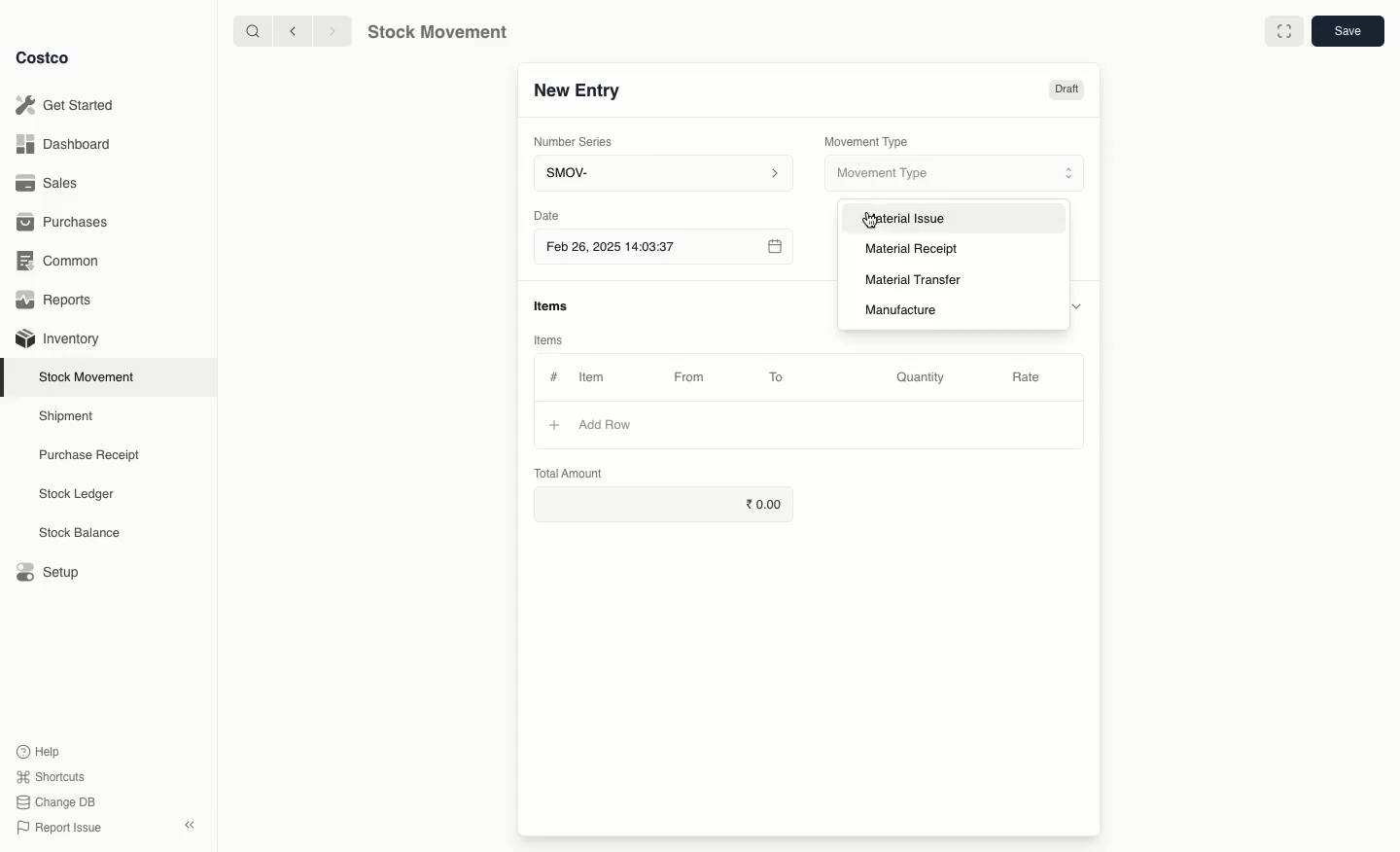 This screenshot has height=852, width=1400. Describe the element at coordinates (924, 378) in the screenshot. I see `Quantity` at that location.